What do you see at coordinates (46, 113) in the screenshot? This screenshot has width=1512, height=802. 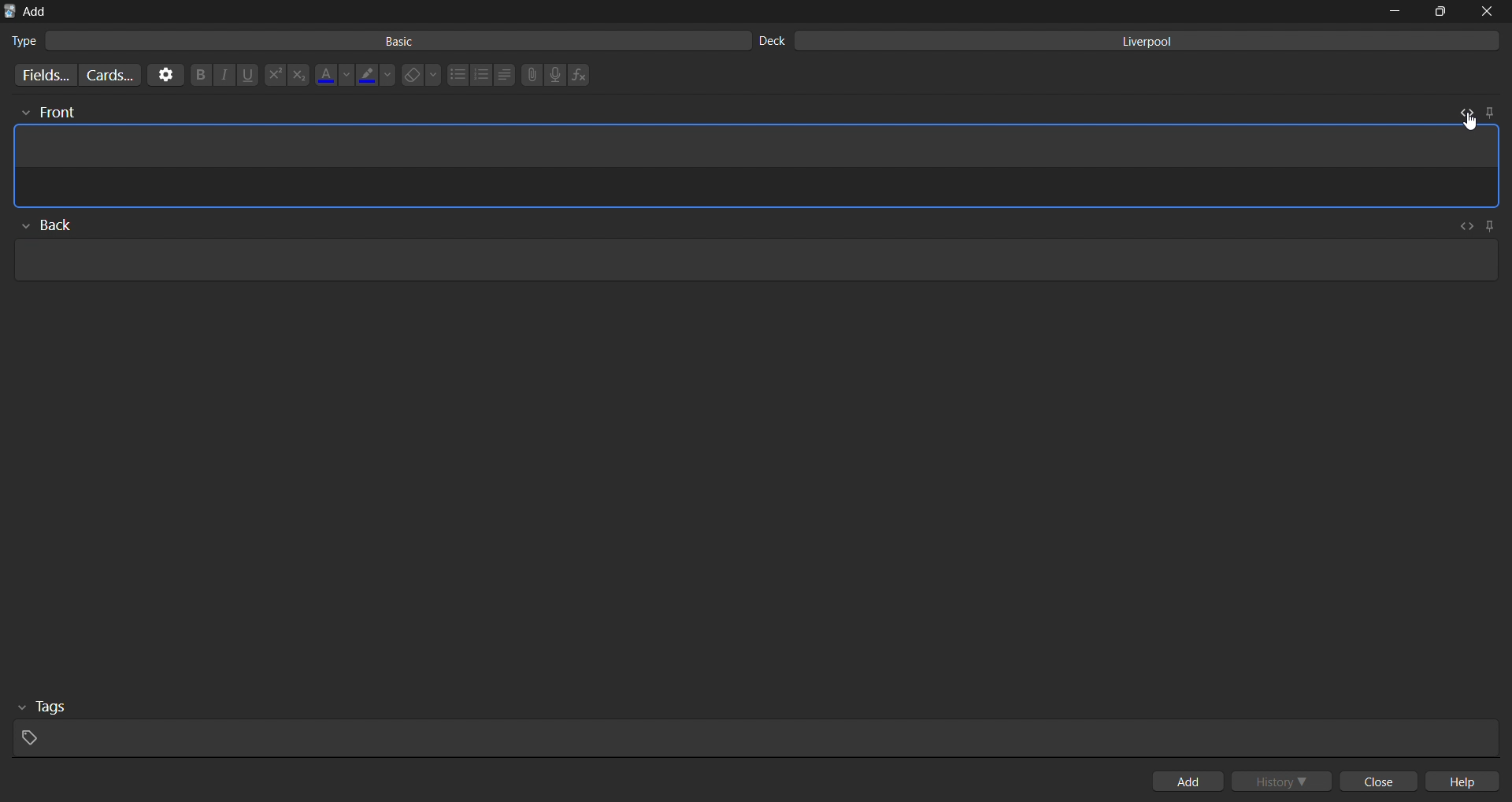 I see `front ` at bounding box center [46, 113].